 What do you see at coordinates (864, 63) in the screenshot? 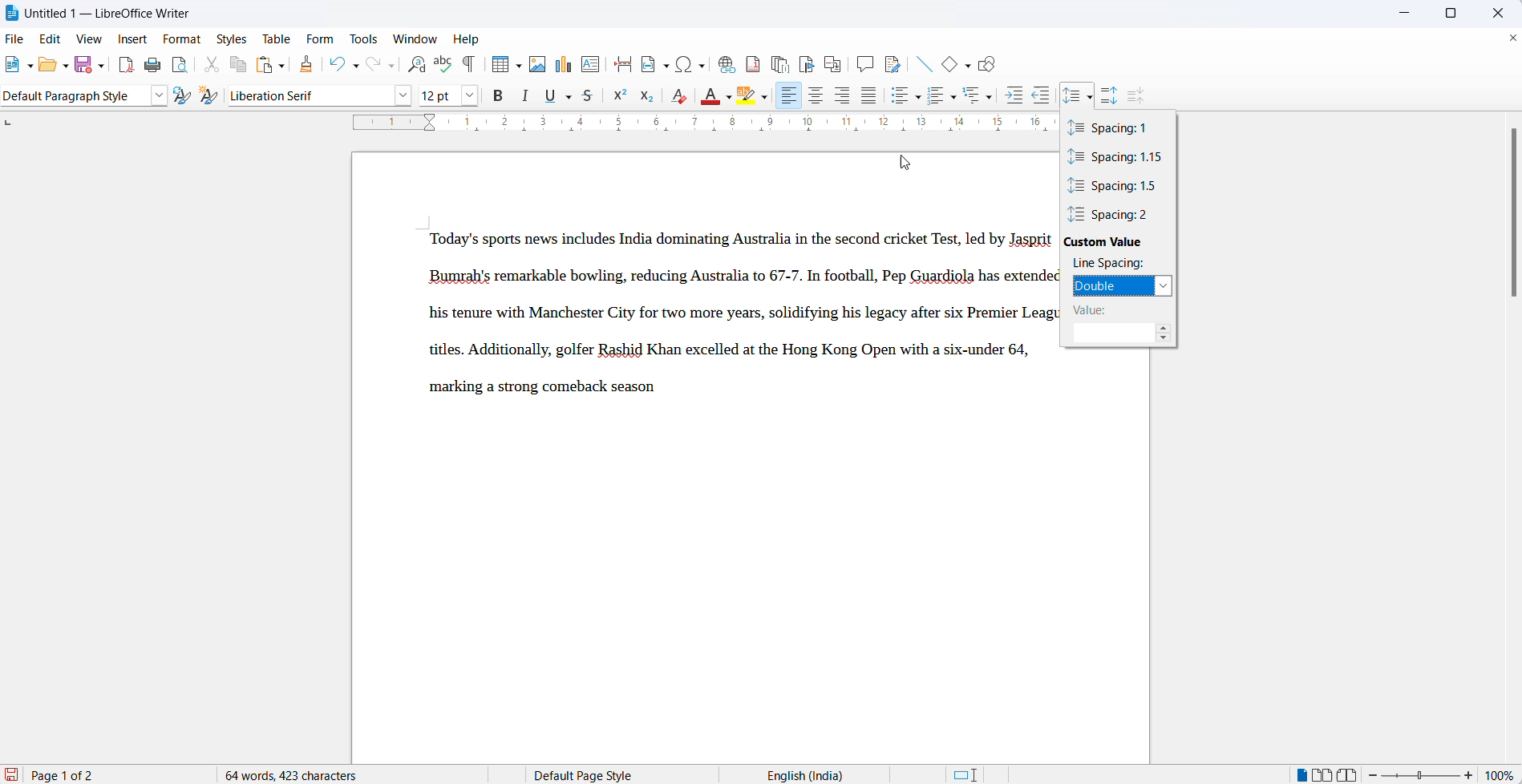
I see `insert comments` at bounding box center [864, 63].